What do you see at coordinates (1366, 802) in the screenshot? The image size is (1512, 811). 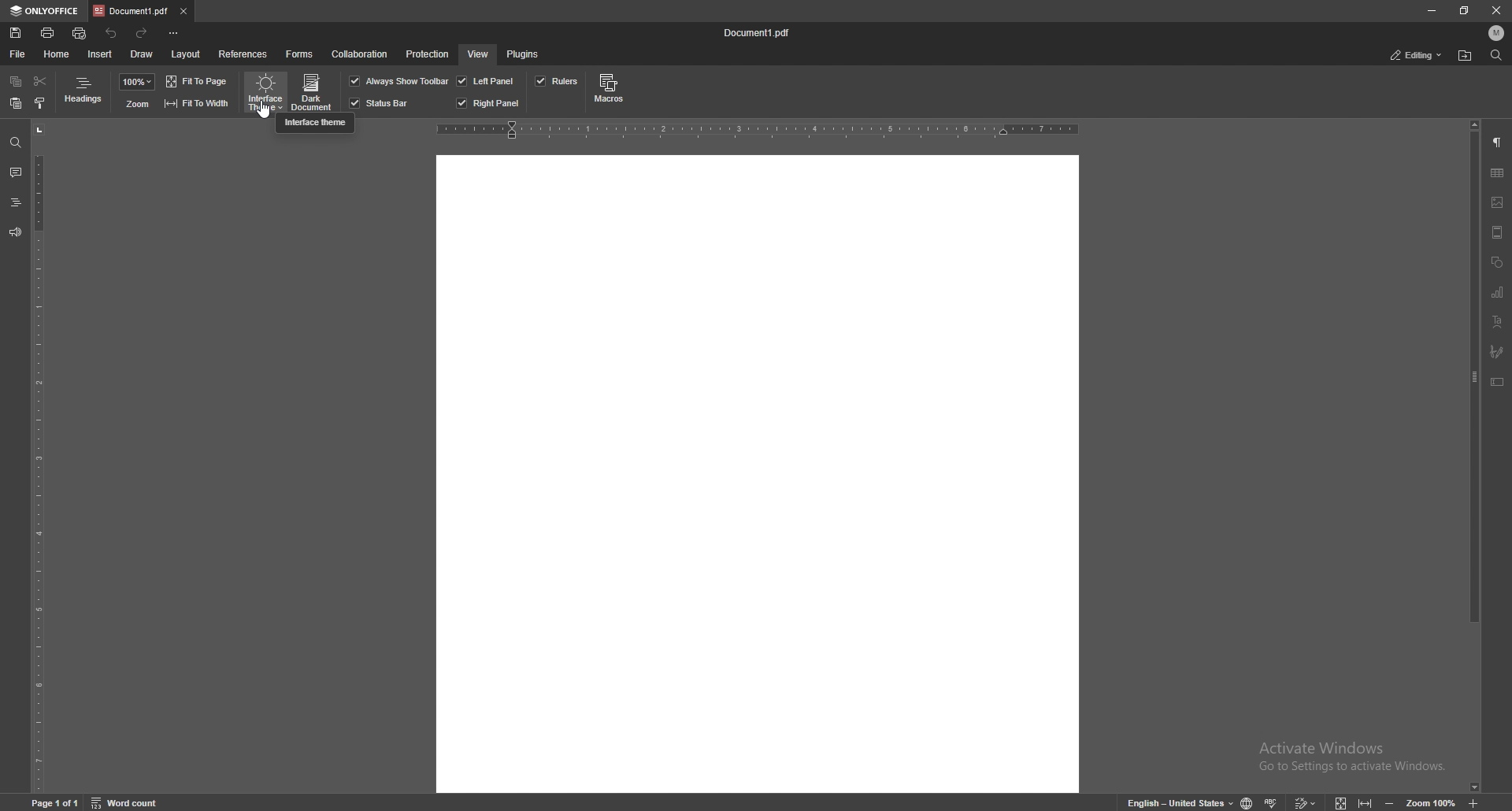 I see `fit to width` at bounding box center [1366, 802].